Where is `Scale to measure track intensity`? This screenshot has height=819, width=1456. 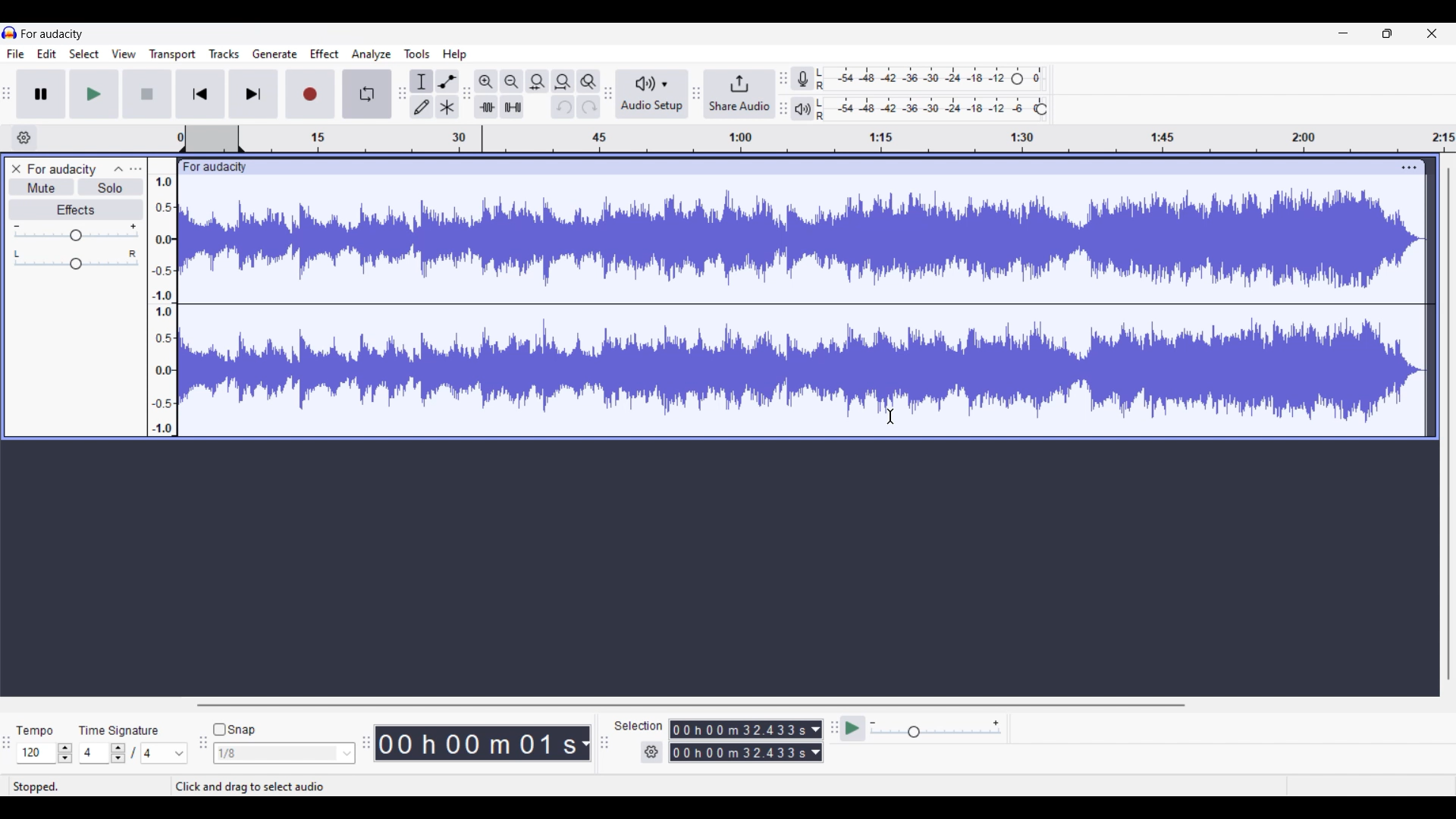
Scale to measure track intensity is located at coordinates (162, 305).